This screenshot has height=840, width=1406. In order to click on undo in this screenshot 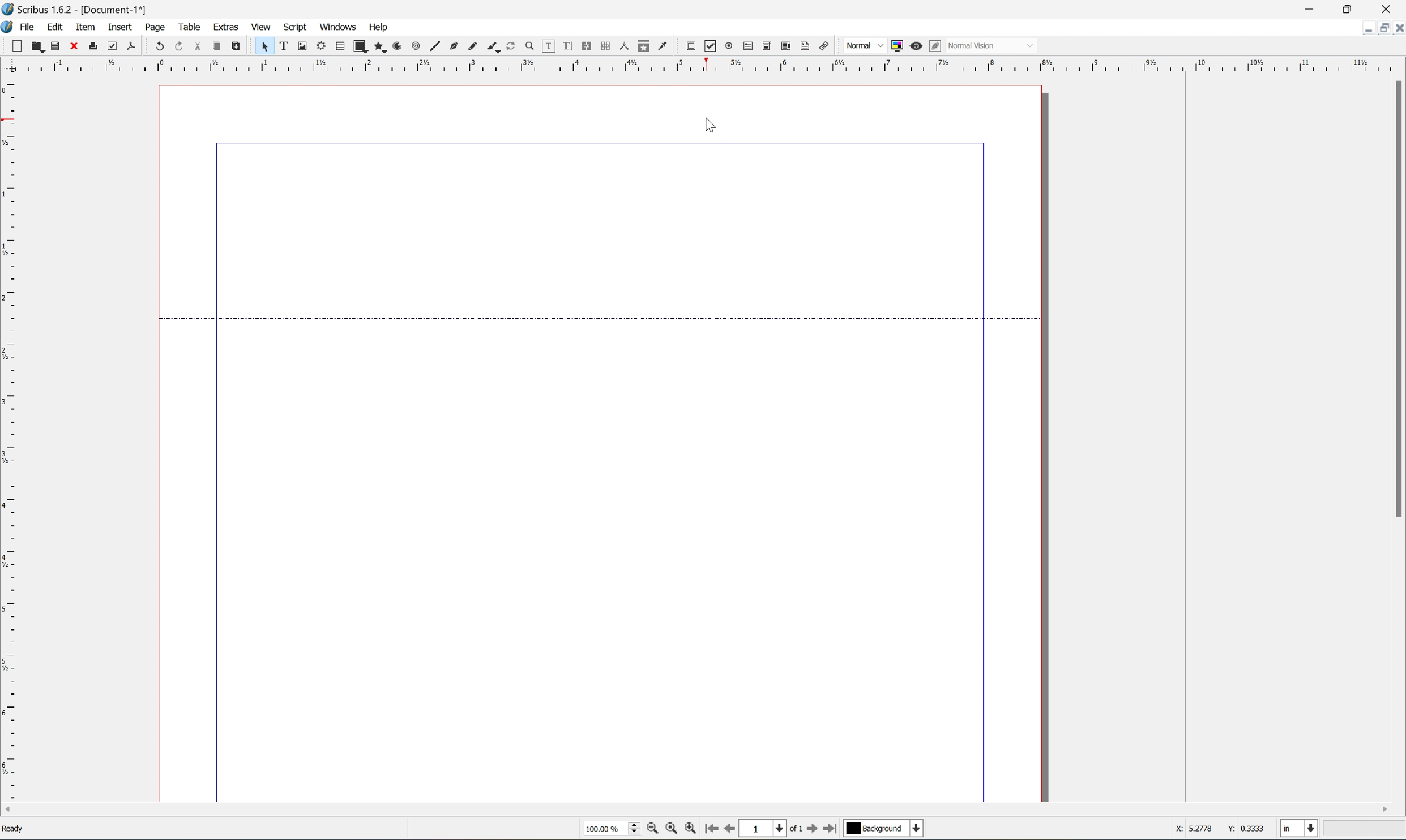, I will do `click(160, 47)`.